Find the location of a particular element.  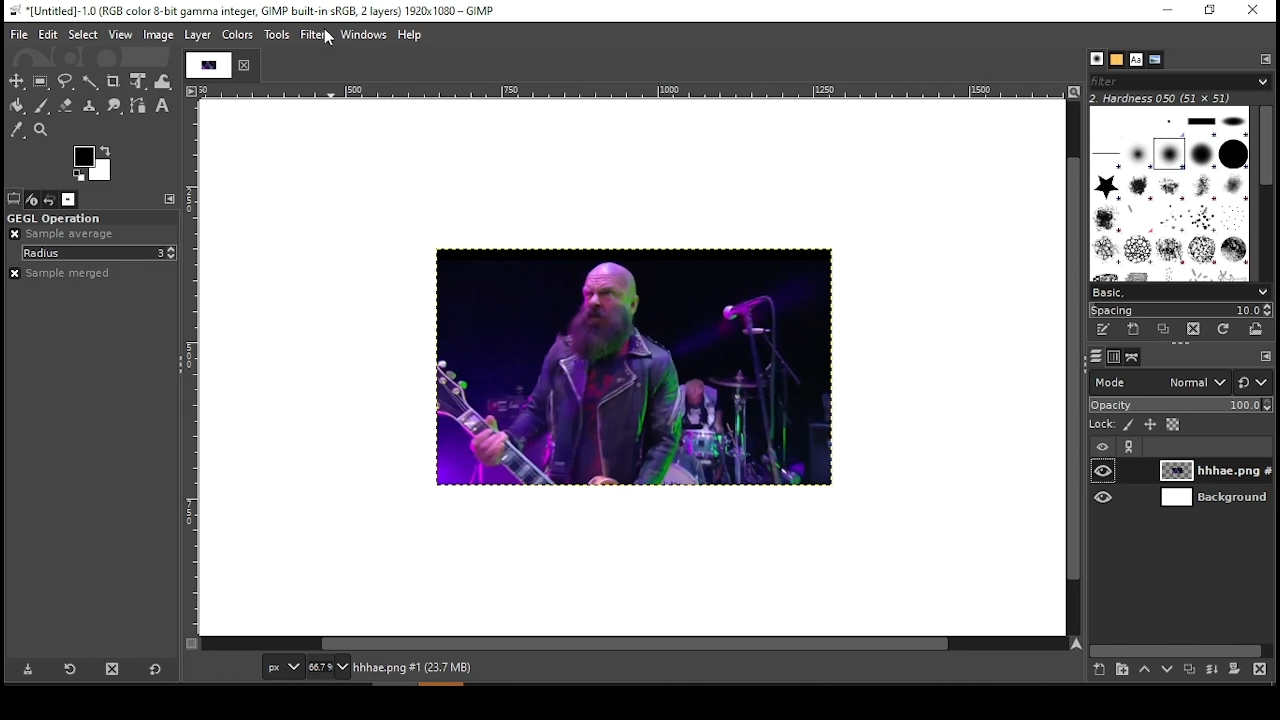

close is located at coordinates (245, 65).